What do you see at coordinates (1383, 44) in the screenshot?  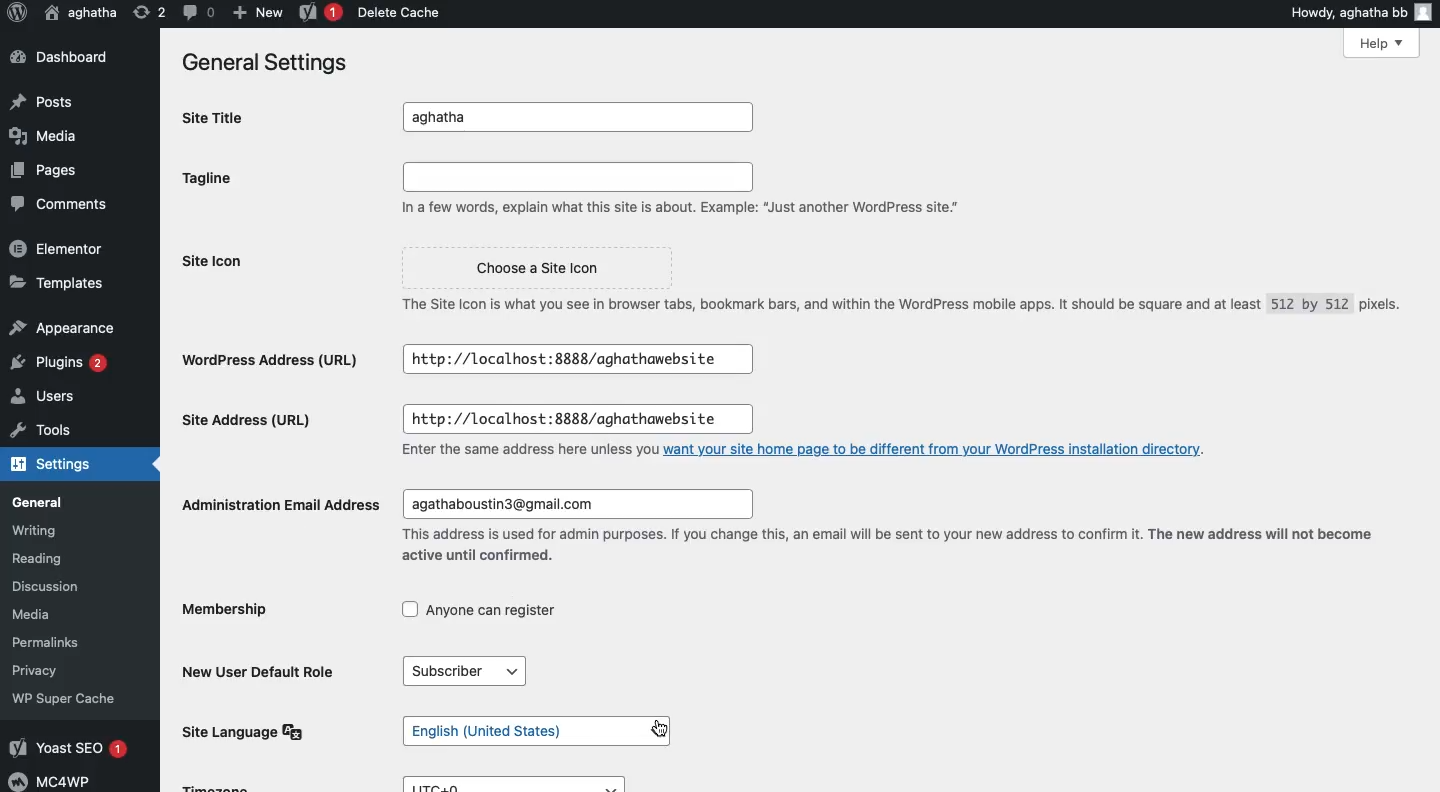 I see `Help` at bounding box center [1383, 44].